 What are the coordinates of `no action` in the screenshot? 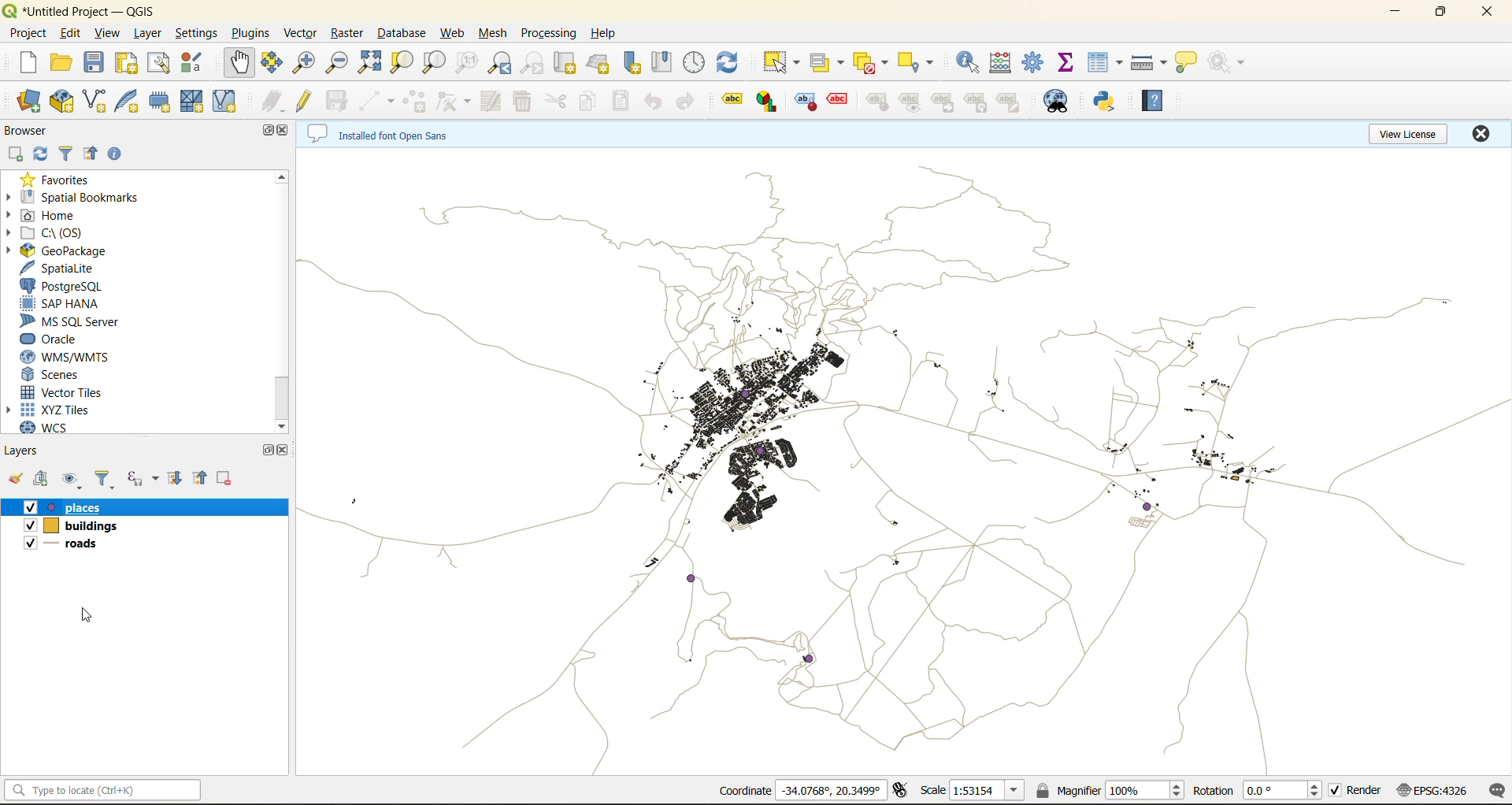 It's located at (1229, 62).